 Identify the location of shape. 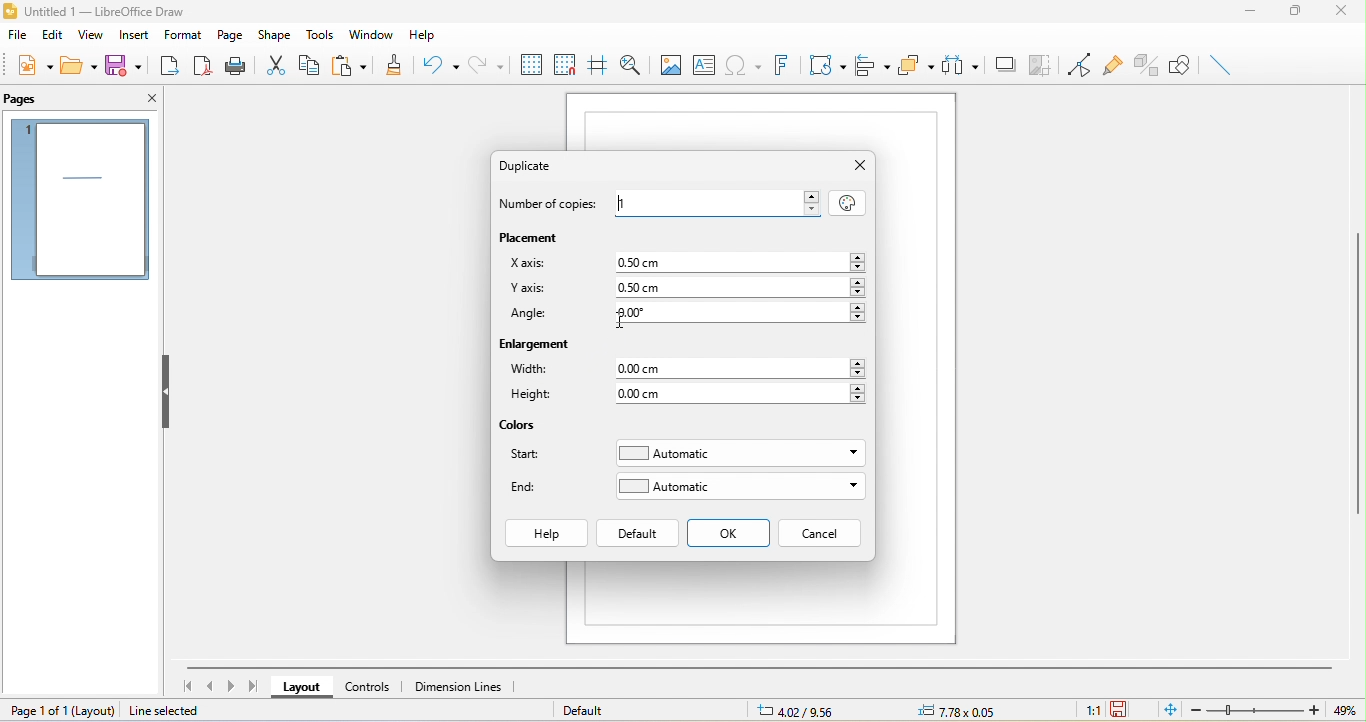
(278, 34).